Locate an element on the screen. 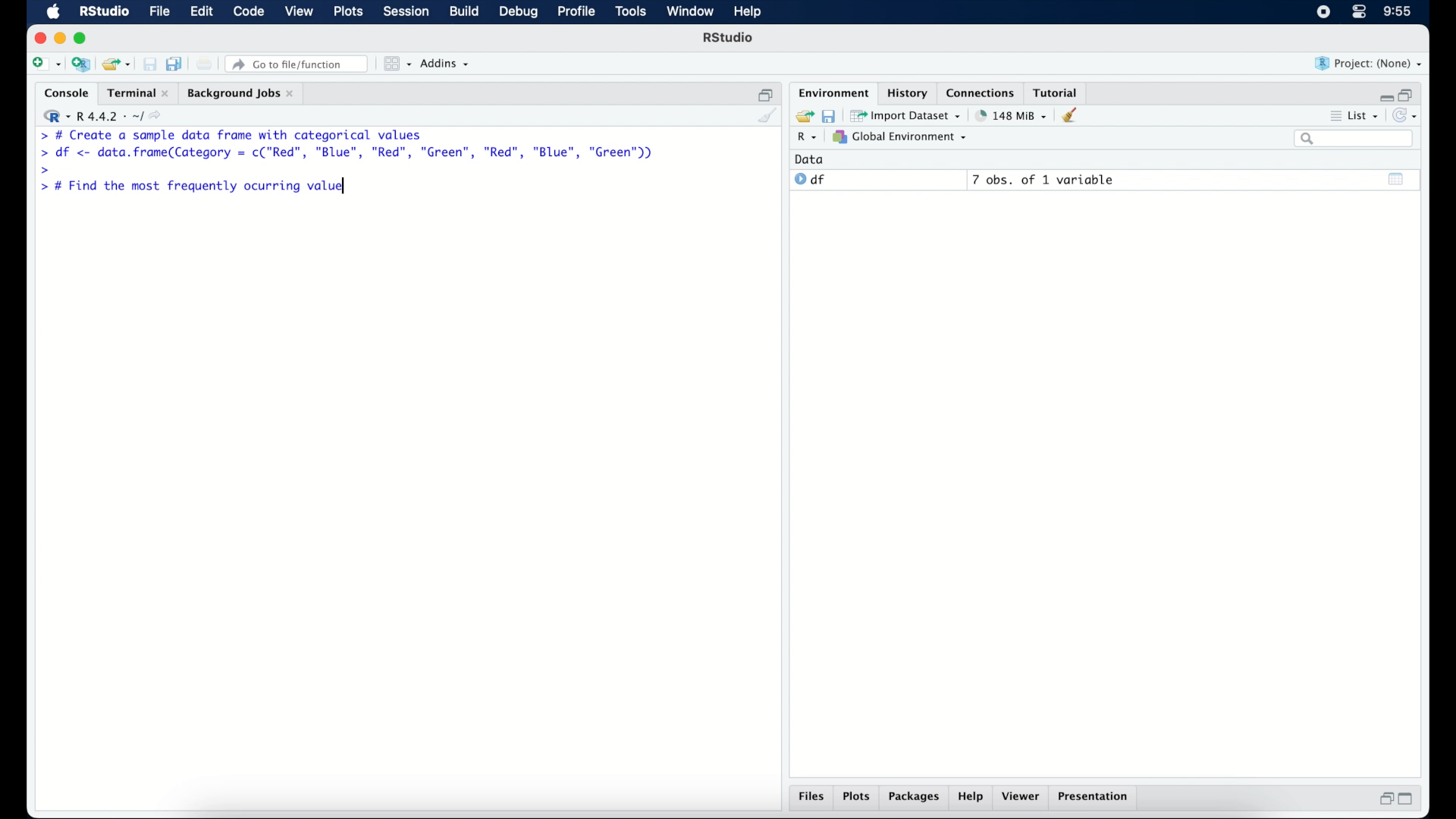 The image size is (1456, 819). data is located at coordinates (814, 159).